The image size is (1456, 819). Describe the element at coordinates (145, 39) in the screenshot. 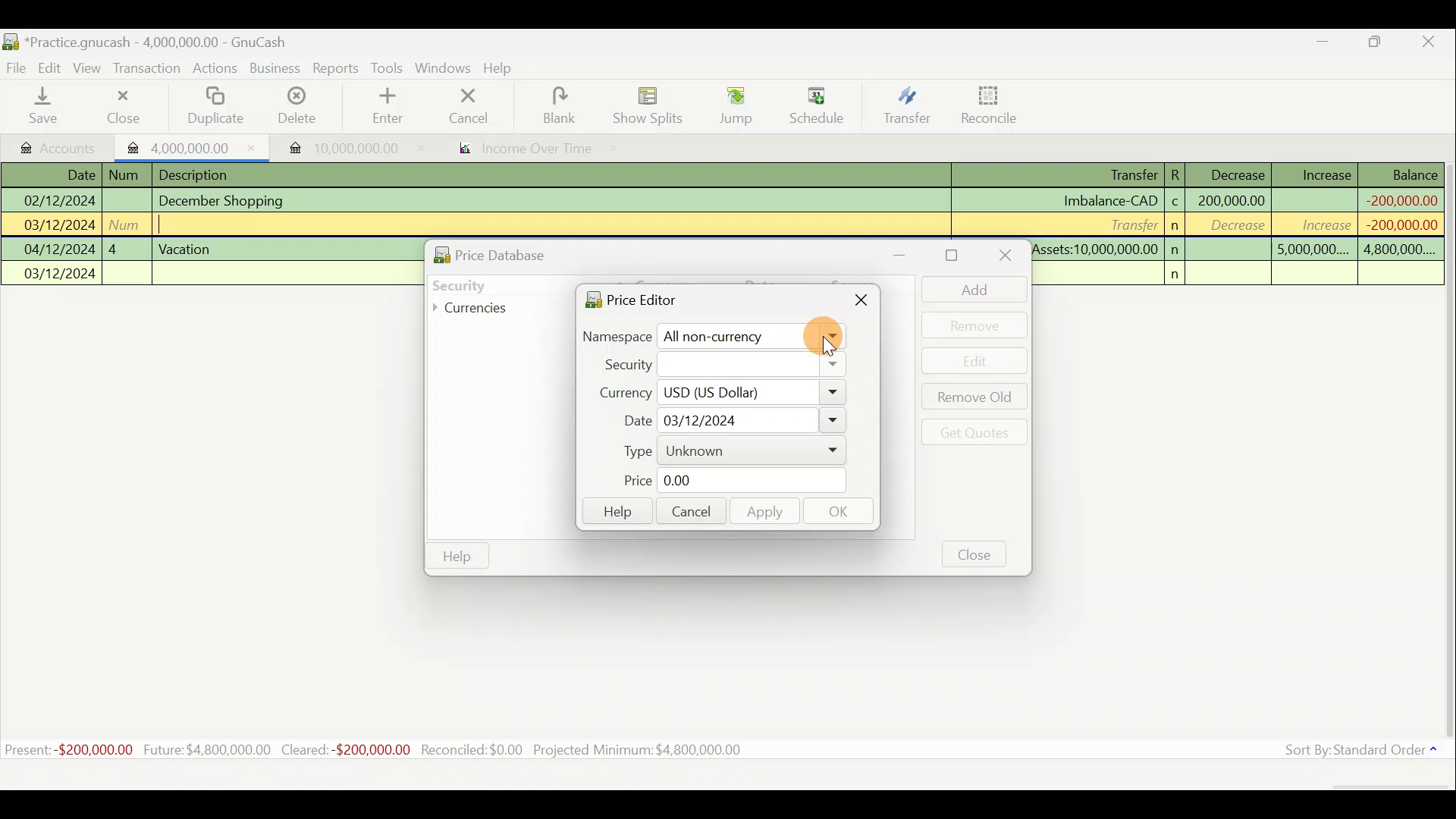

I see `Document name` at that location.